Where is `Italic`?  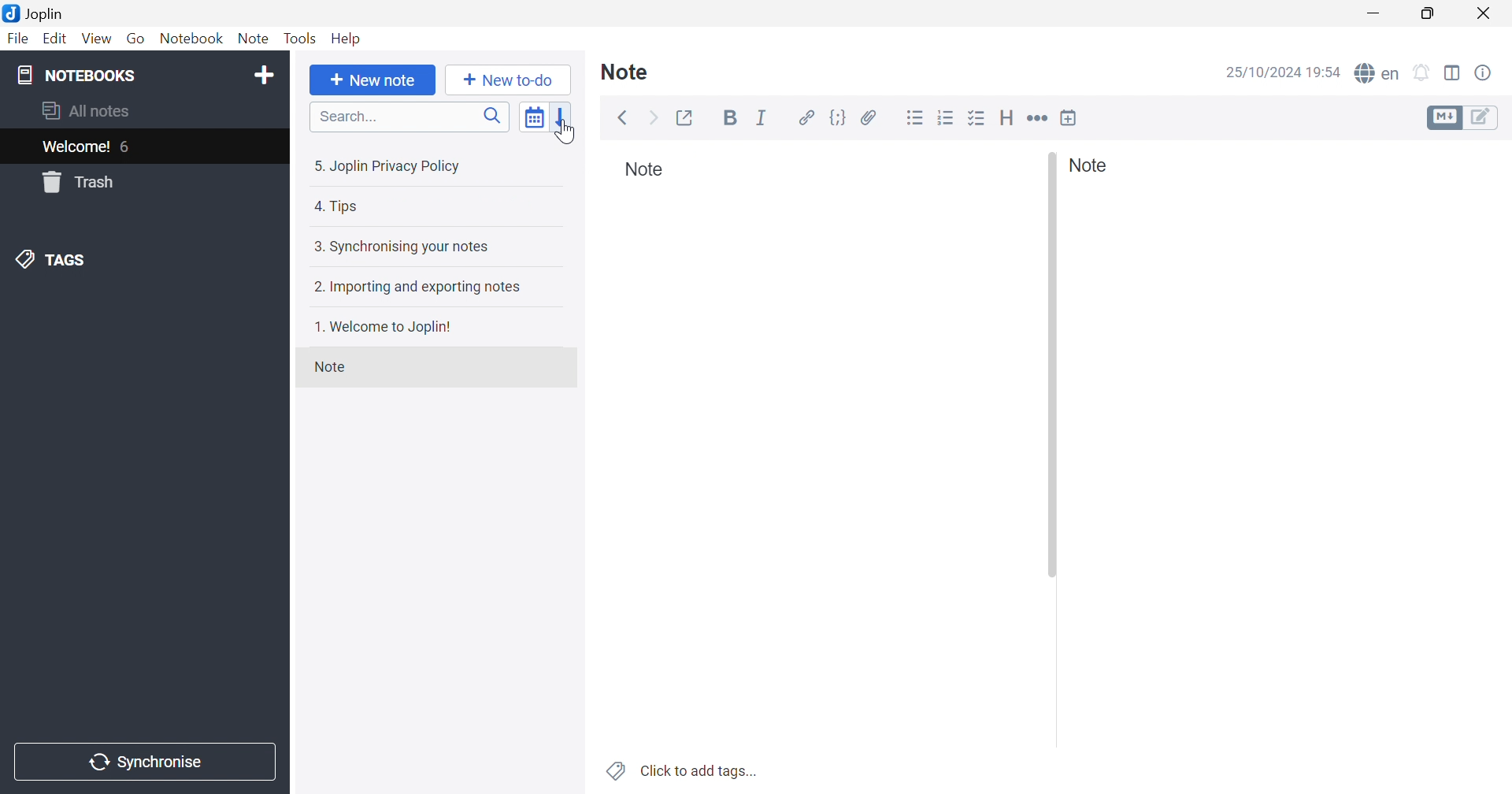 Italic is located at coordinates (763, 121).